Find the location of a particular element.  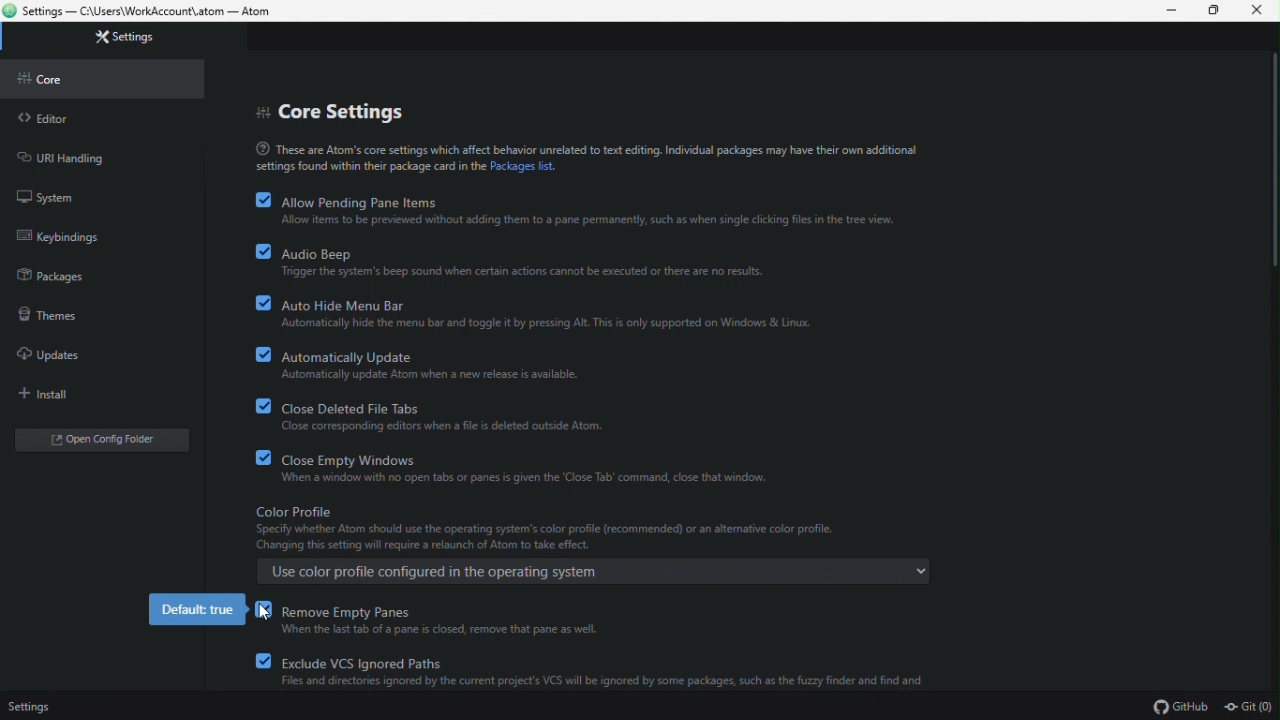

checkbox is located at coordinates (256, 456).